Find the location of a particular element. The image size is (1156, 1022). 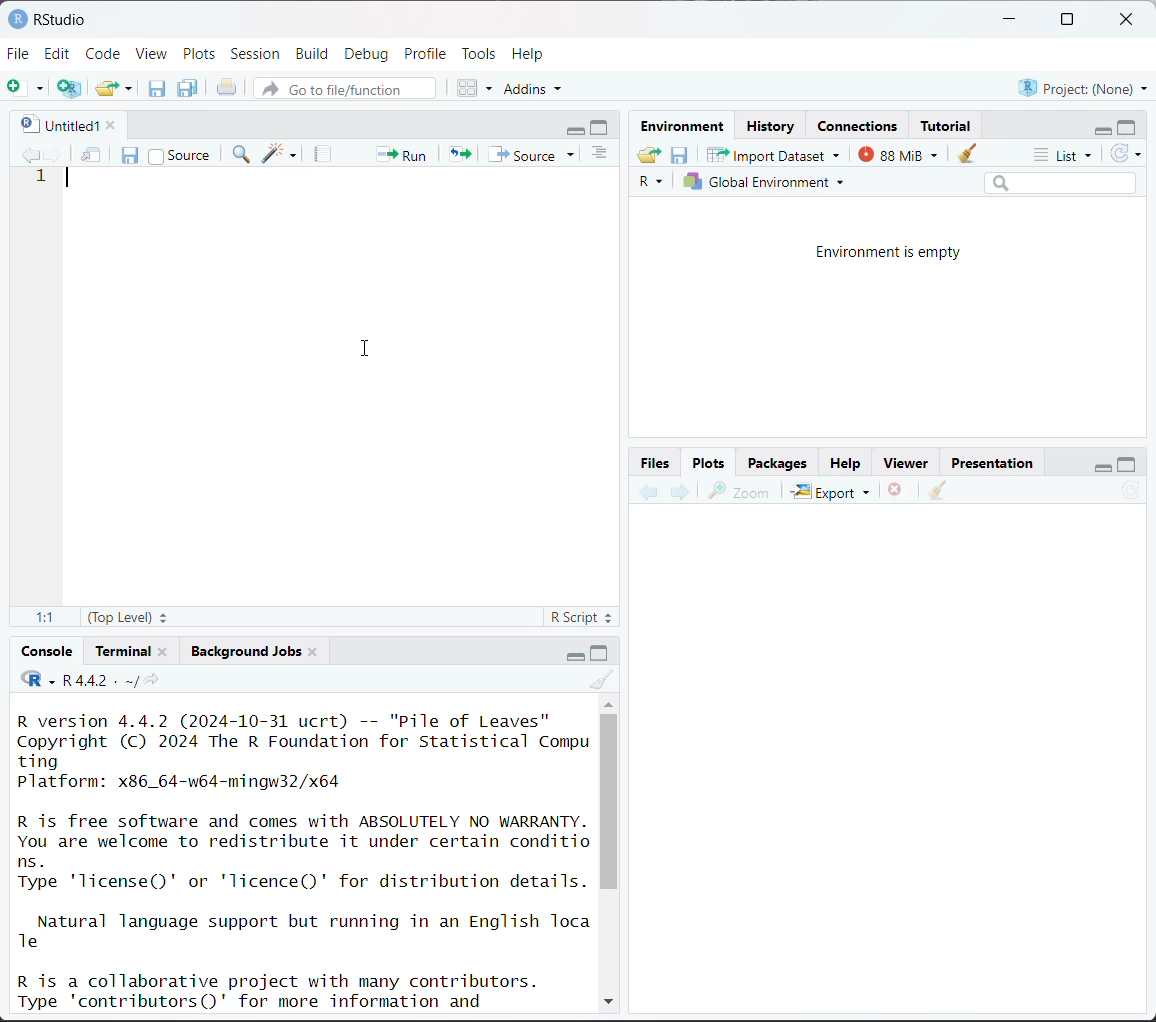

minimize is located at coordinates (576, 128).